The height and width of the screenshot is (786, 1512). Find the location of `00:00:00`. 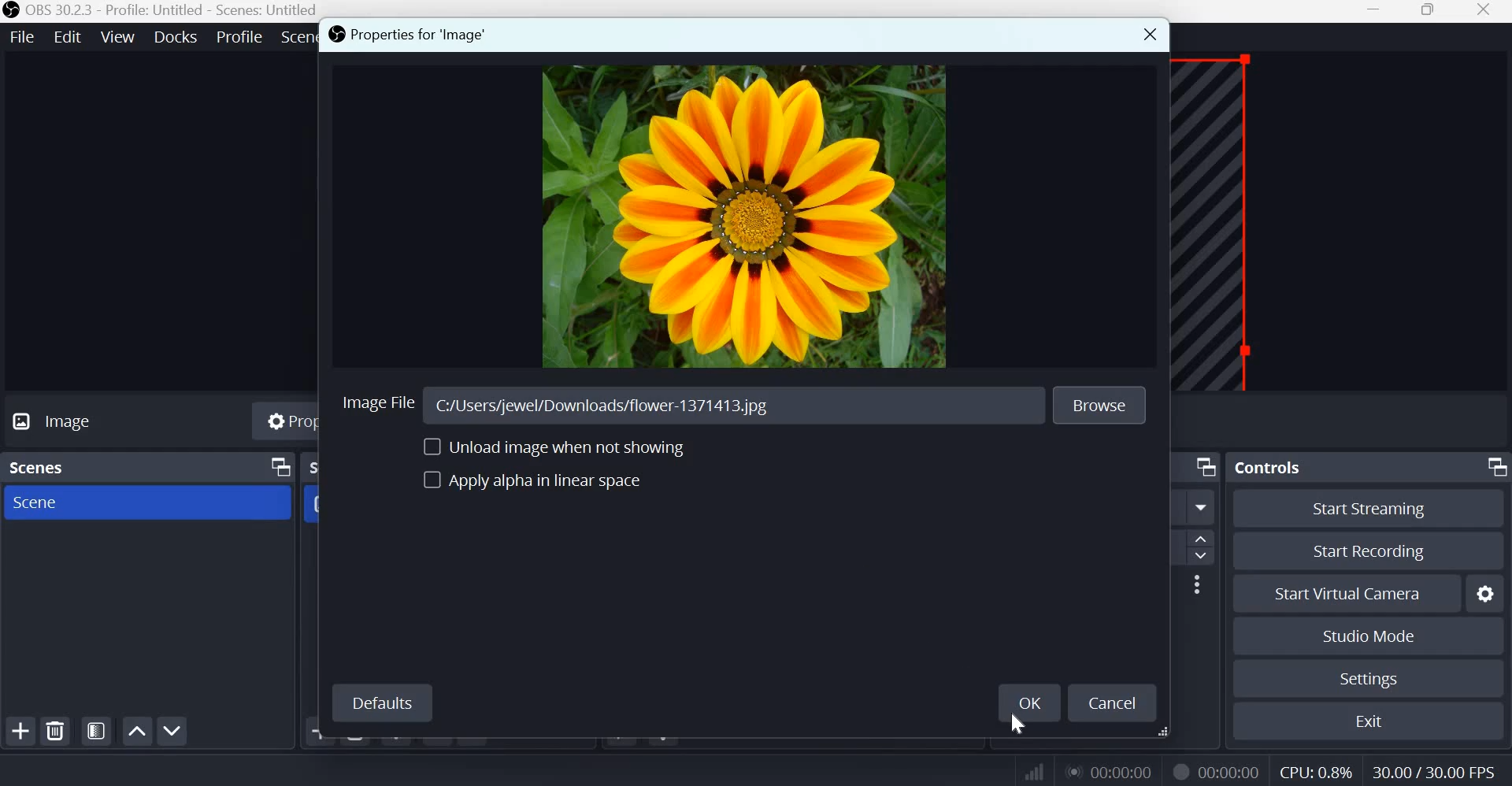

00:00:00 is located at coordinates (1231, 772).